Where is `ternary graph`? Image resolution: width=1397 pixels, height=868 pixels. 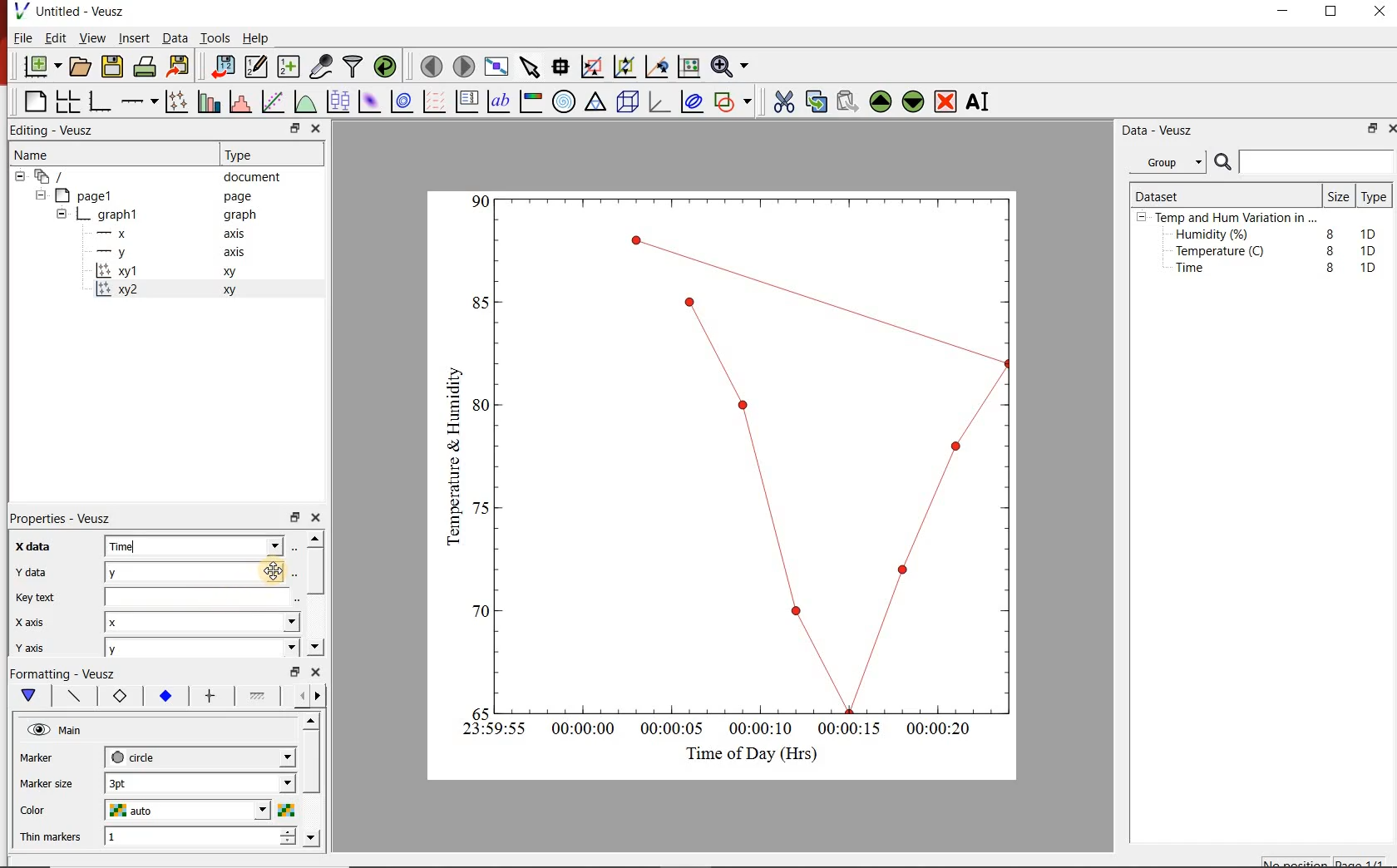
ternary graph is located at coordinates (597, 104).